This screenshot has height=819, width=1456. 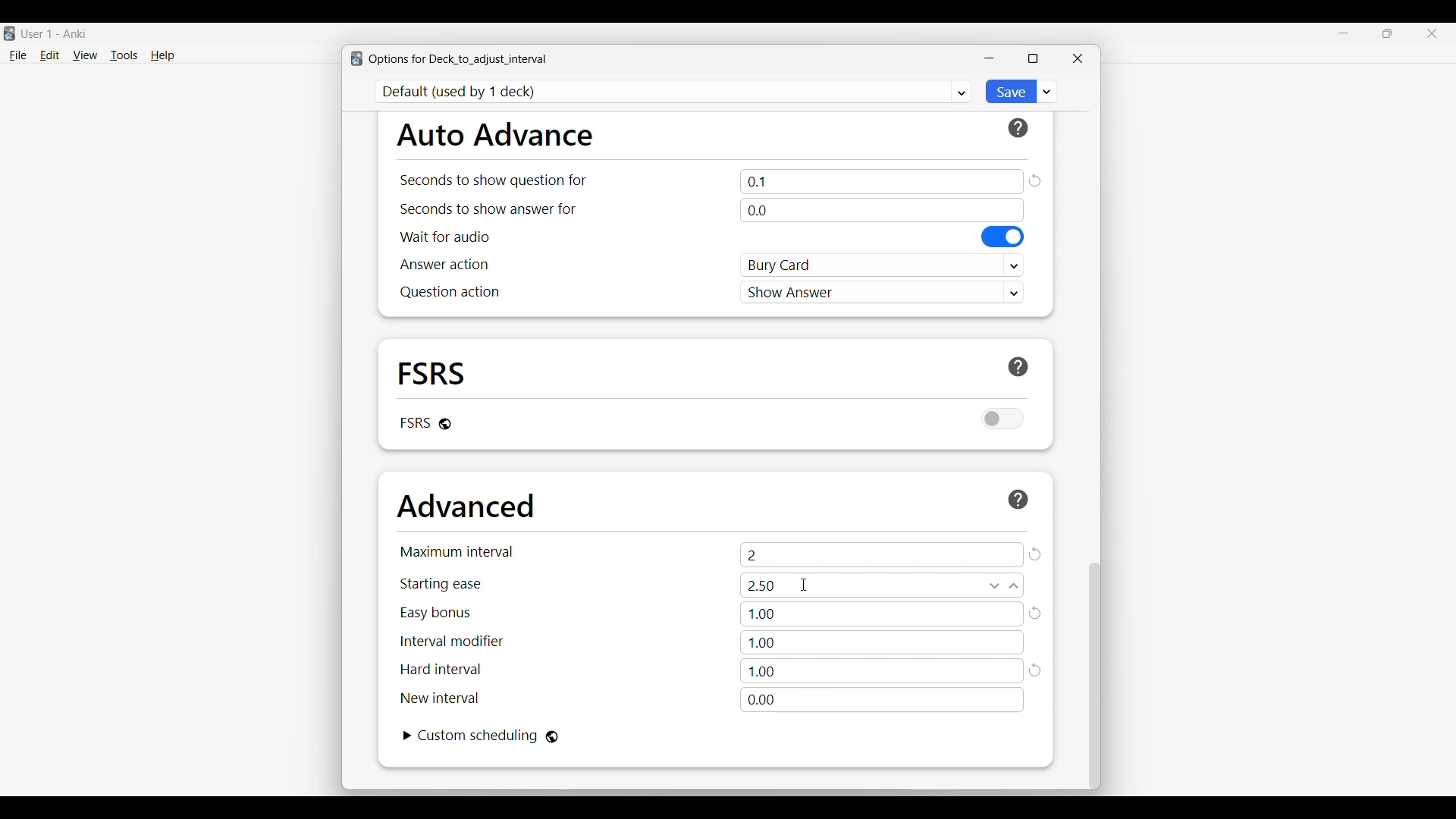 What do you see at coordinates (989, 58) in the screenshot?
I see `Minimize window` at bounding box center [989, 58].